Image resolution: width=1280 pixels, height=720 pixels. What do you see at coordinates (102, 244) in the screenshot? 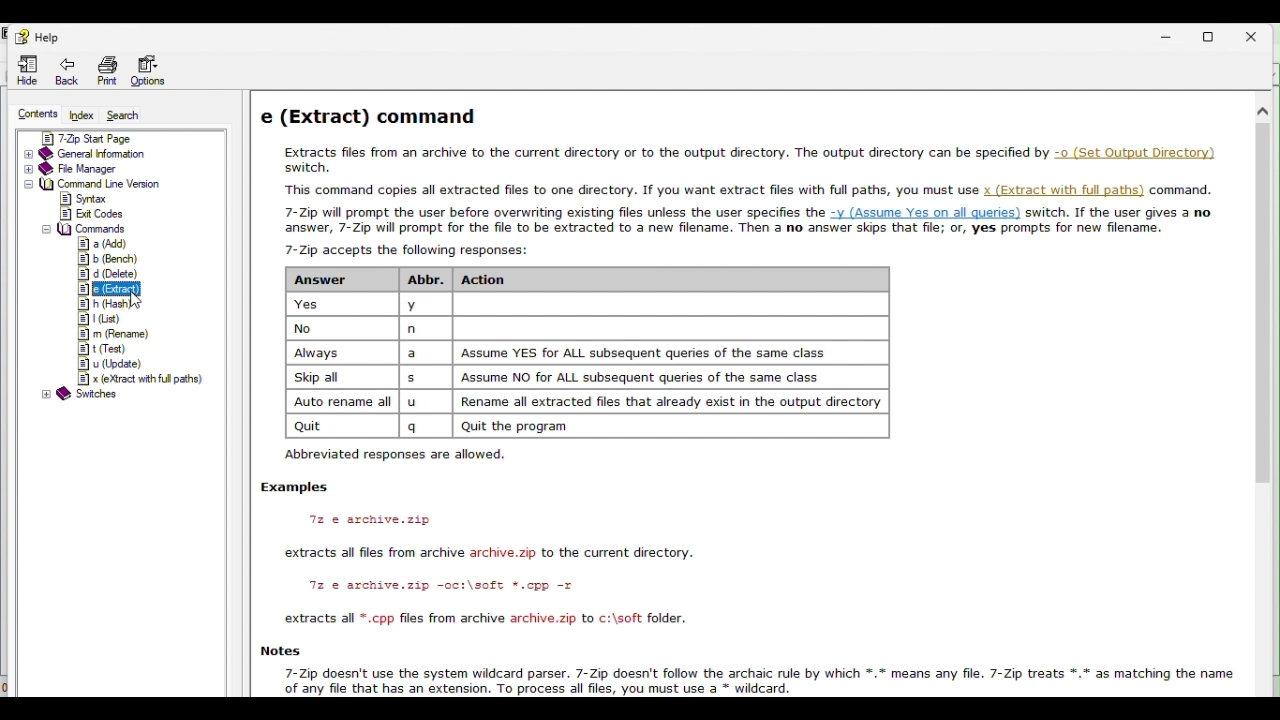
I see `a(Add)` at bounding box center [102, 244].